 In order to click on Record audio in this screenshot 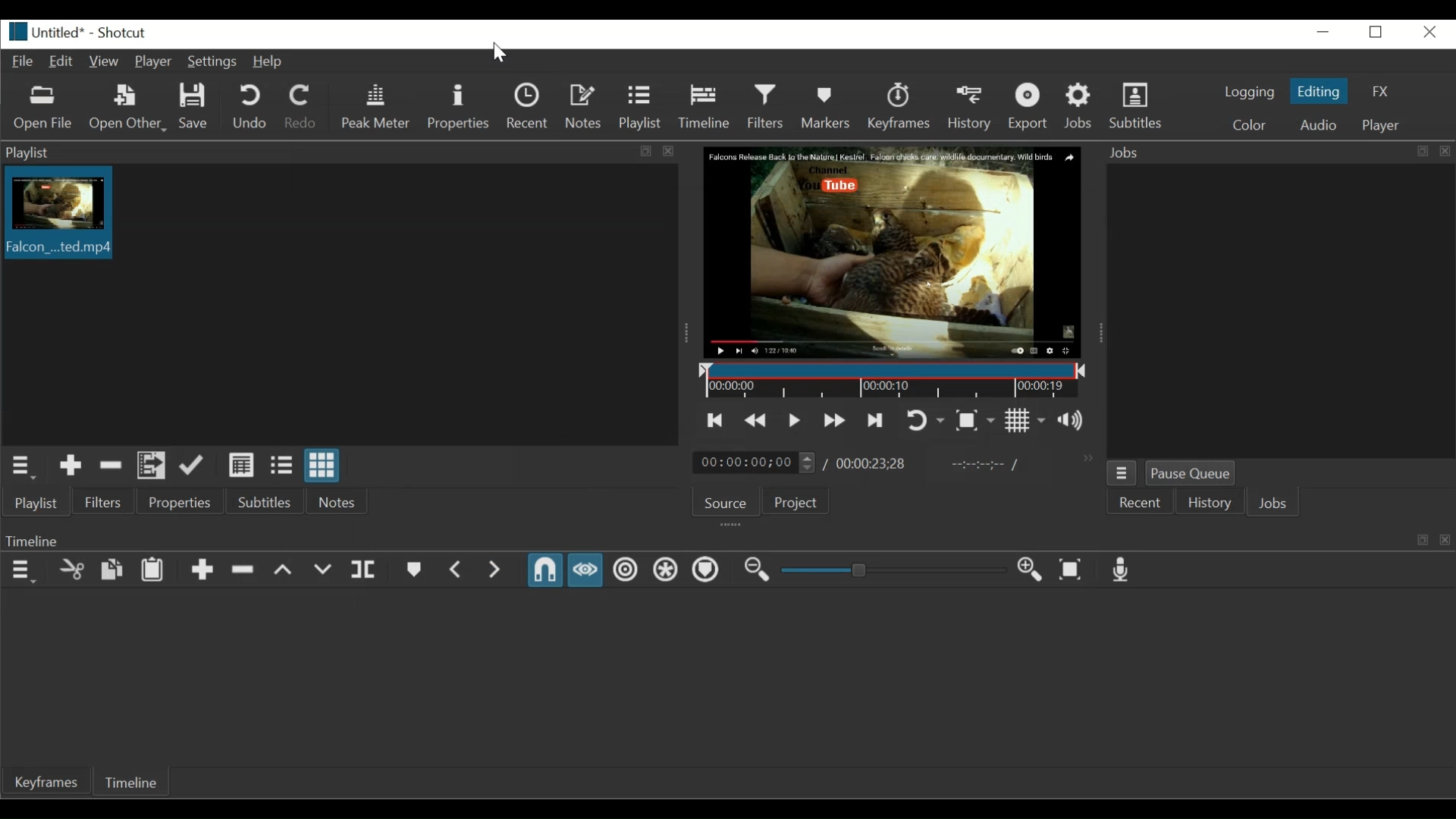, I will do `click(1123, 570)`.